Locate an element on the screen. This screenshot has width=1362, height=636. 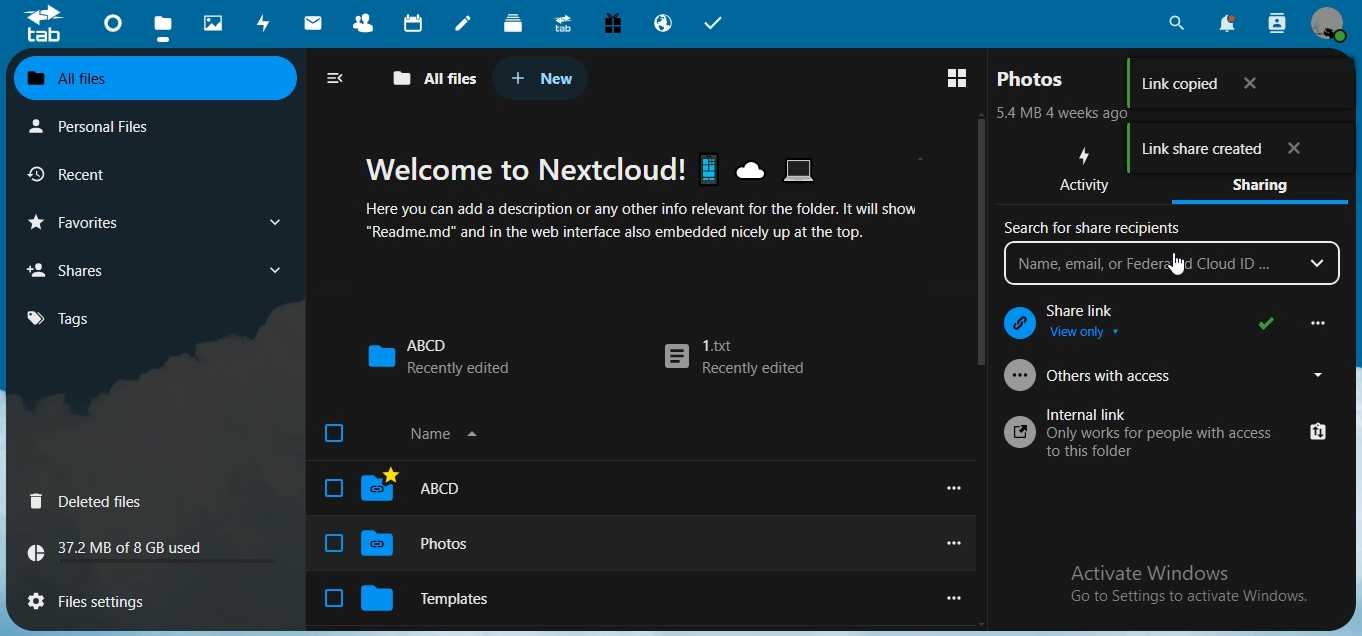
 is located at coordinates (1176, 263).